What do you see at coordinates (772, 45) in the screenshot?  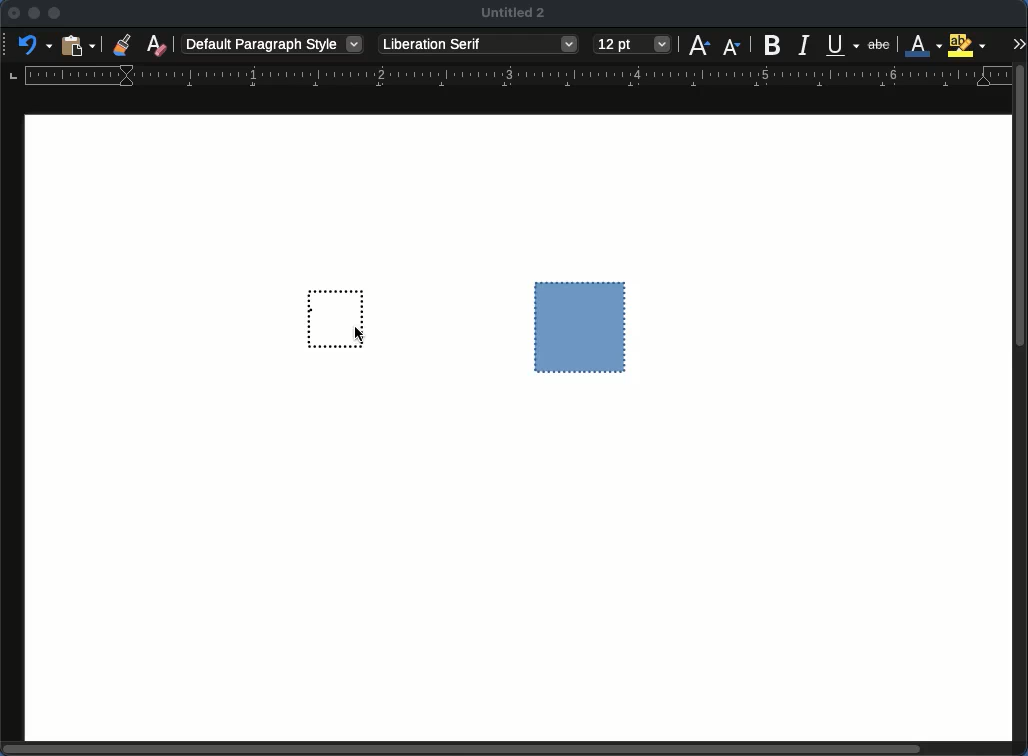 I see `bold` at bounding box center [772, 45].